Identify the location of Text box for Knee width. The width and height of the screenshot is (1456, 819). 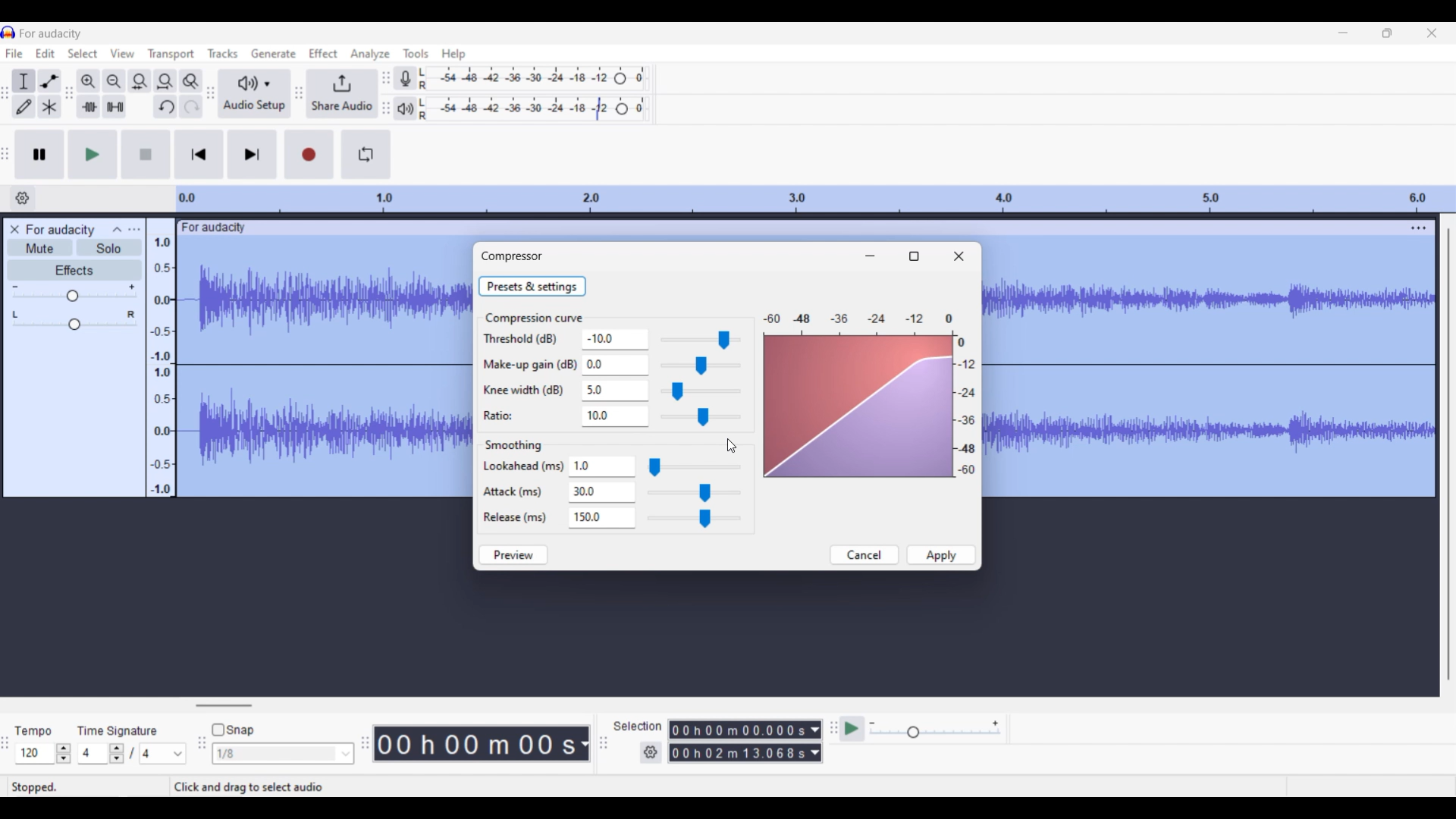
(613, 391).